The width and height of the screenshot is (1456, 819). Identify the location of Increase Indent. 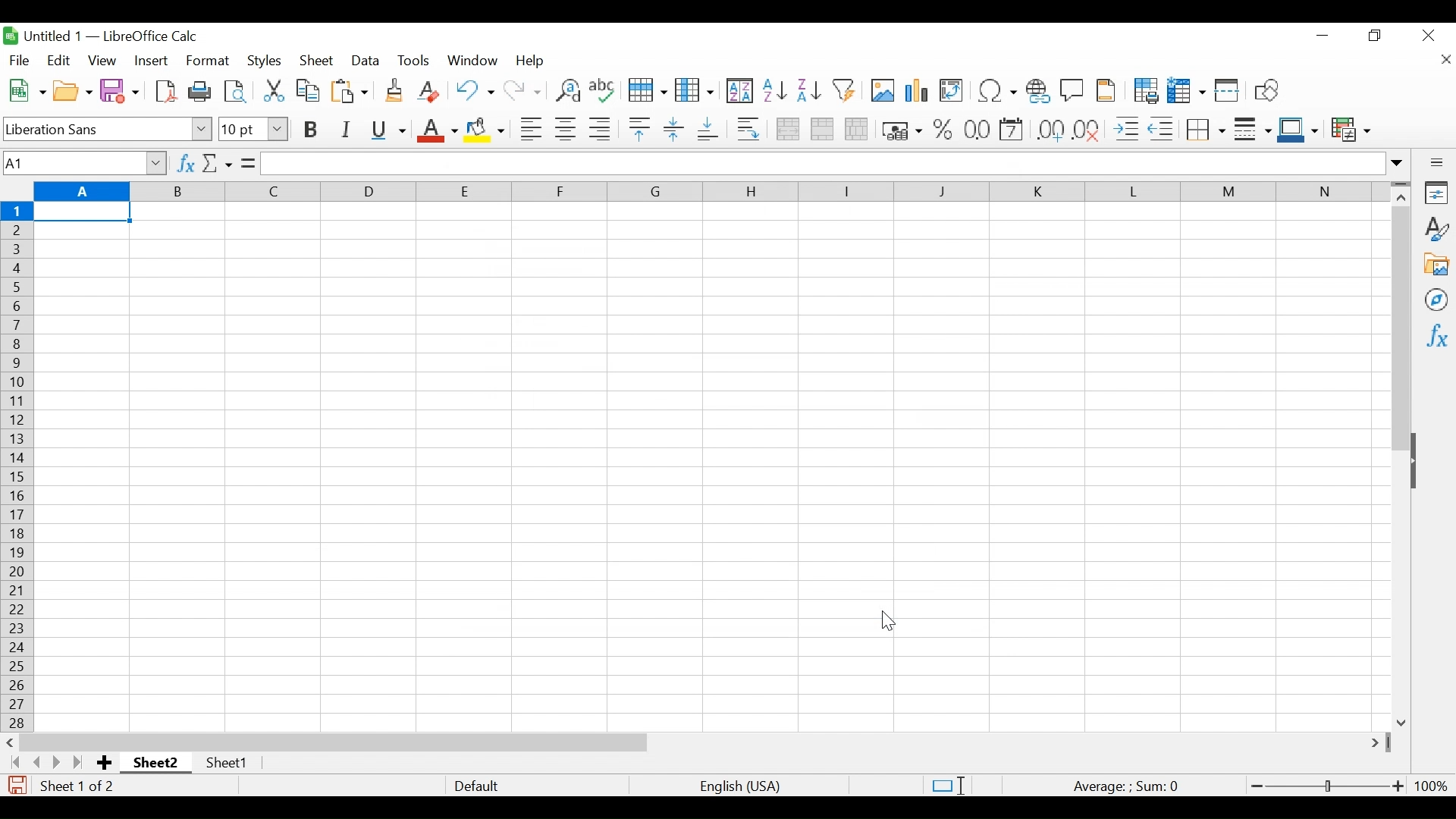
(1126, 129).